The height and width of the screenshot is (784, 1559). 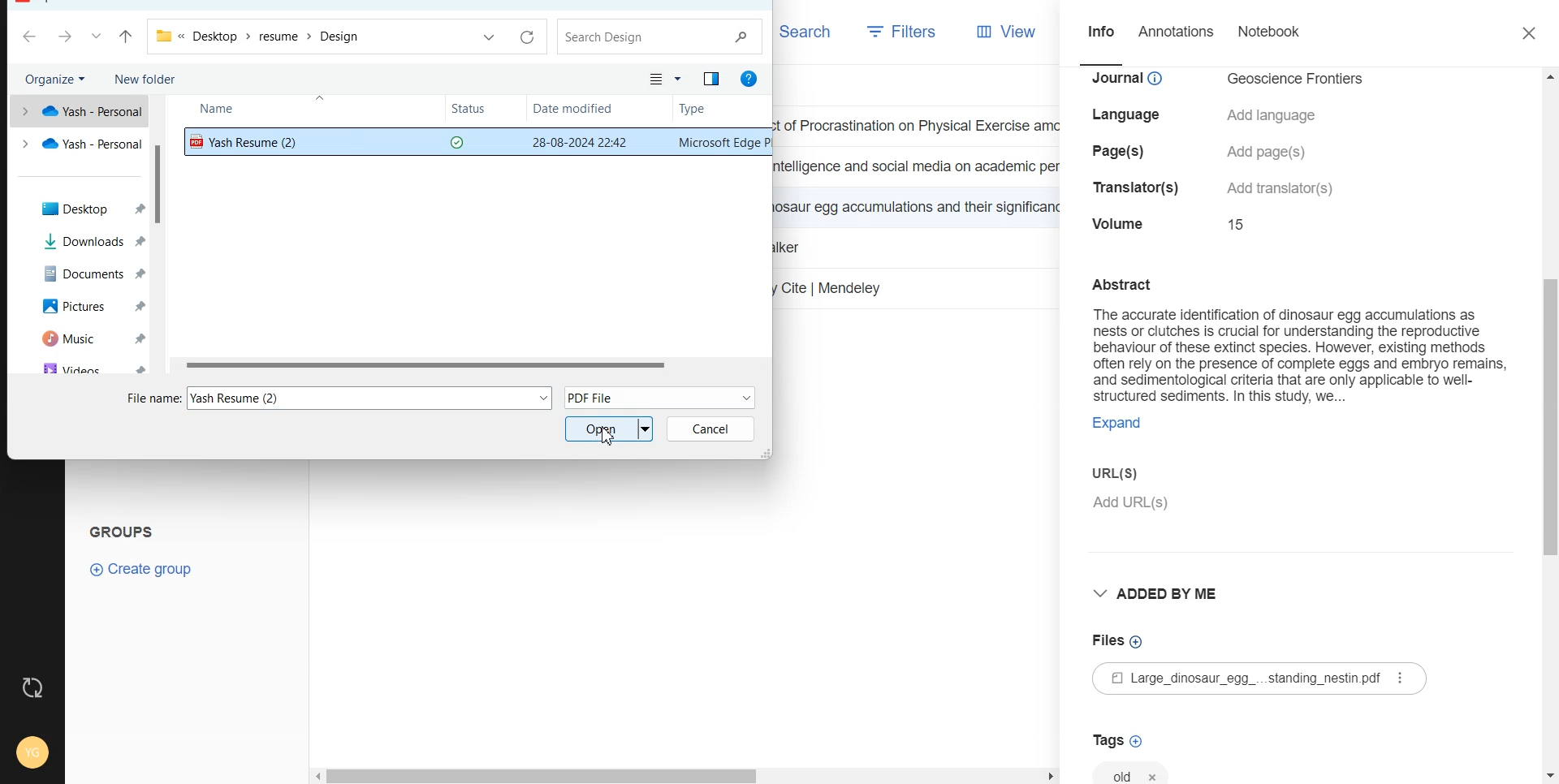 I want to click on PDF File, so click(x=660, y=396).